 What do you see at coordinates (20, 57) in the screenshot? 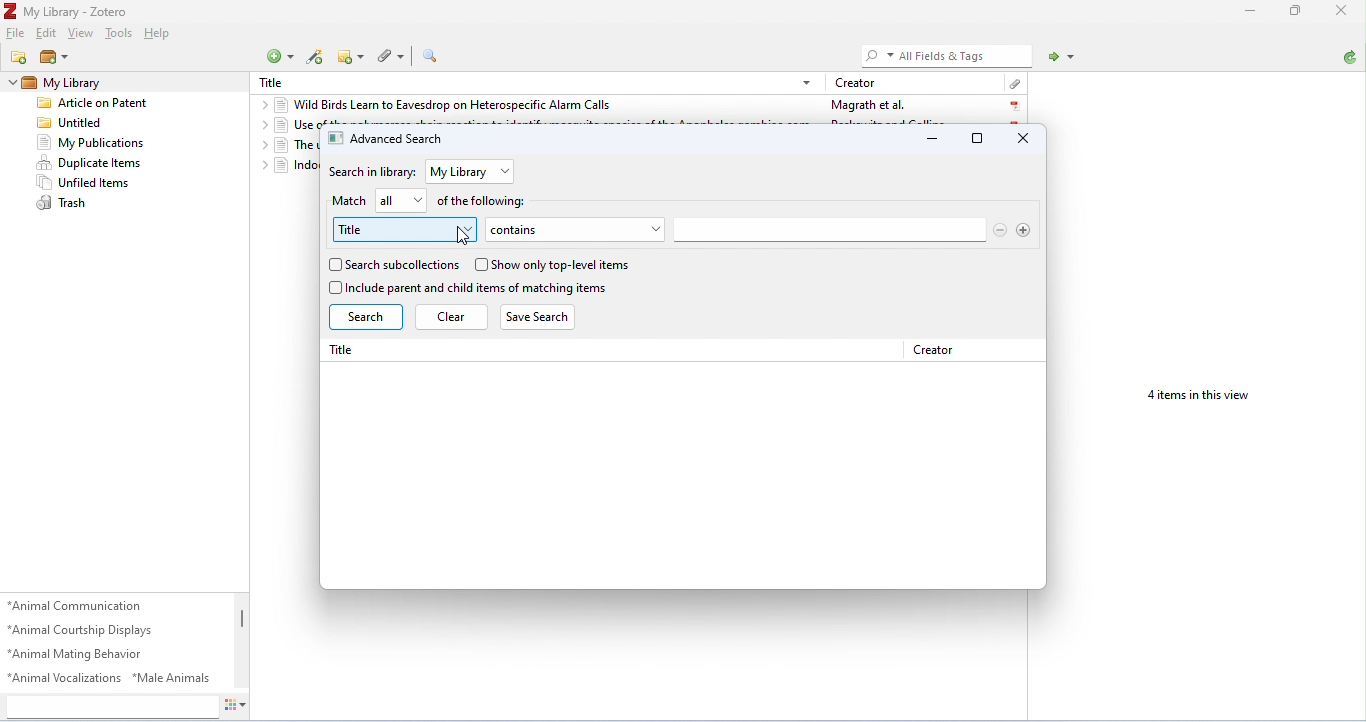
I see `new collection` at bounding box center [20, 57].